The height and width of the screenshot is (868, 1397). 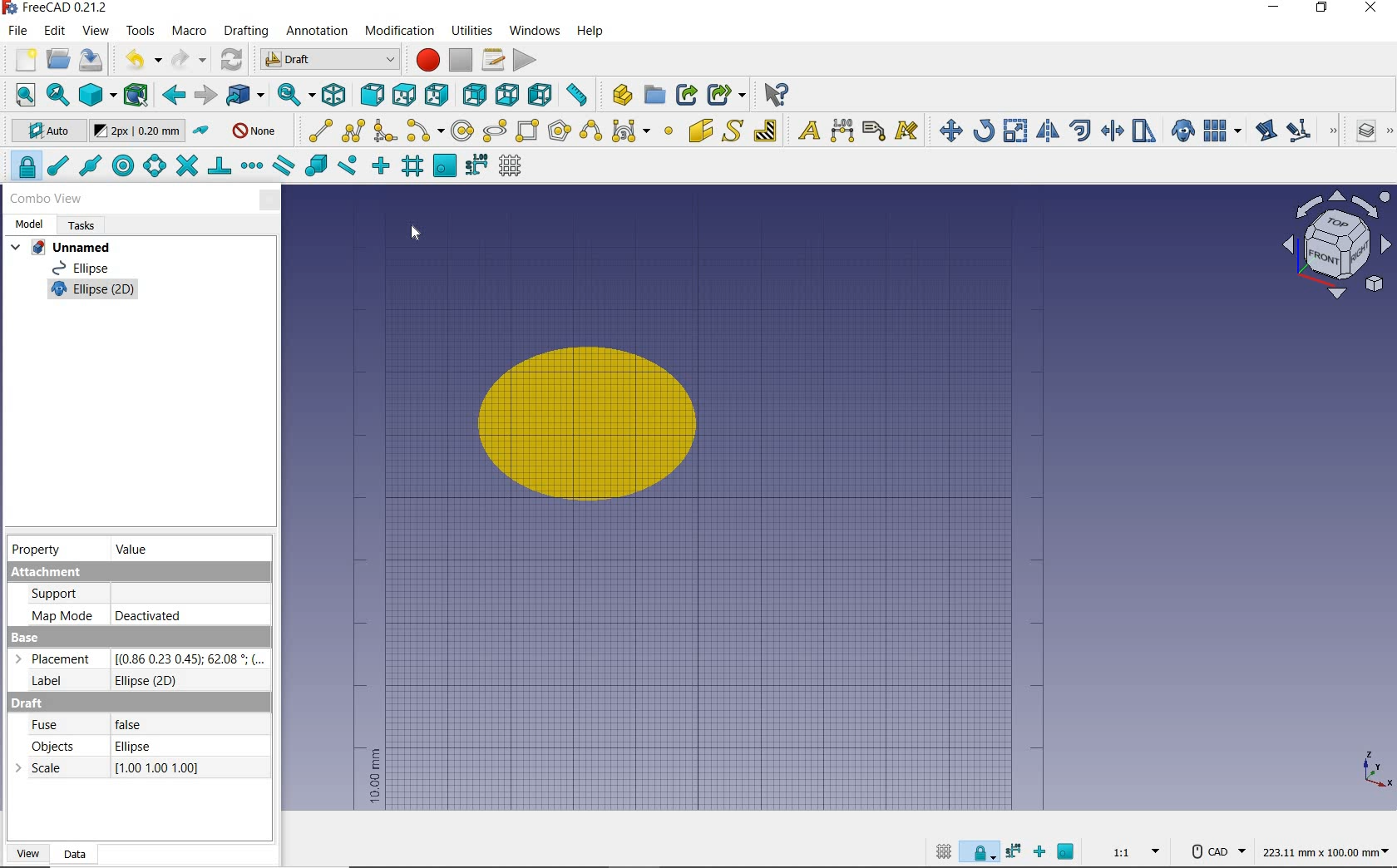 What do you see at coordinates (92, 62) in the screenshot?
I see `save` at bounding box center [92, 62].